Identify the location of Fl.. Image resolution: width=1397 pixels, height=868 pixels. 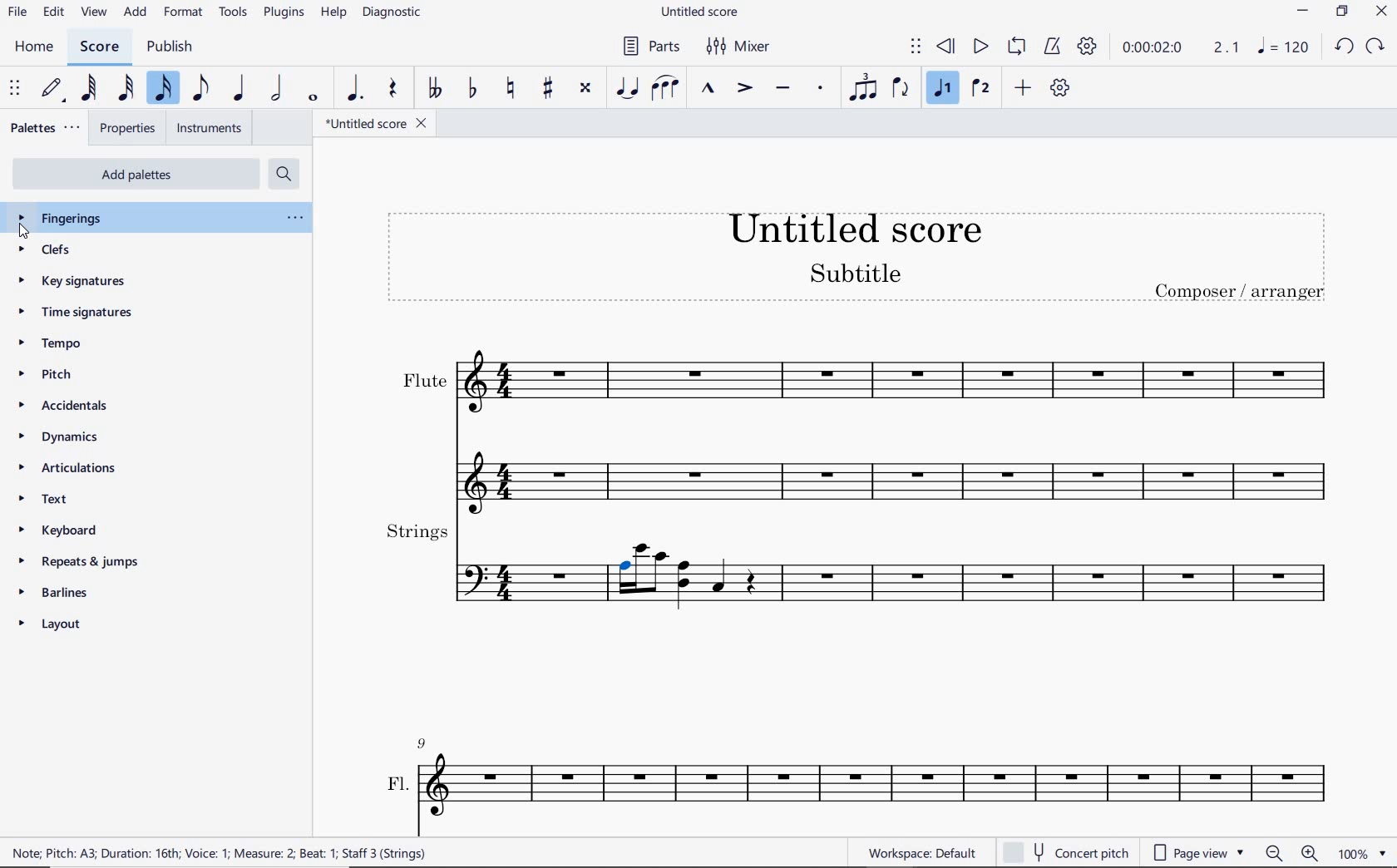
(863, 772).